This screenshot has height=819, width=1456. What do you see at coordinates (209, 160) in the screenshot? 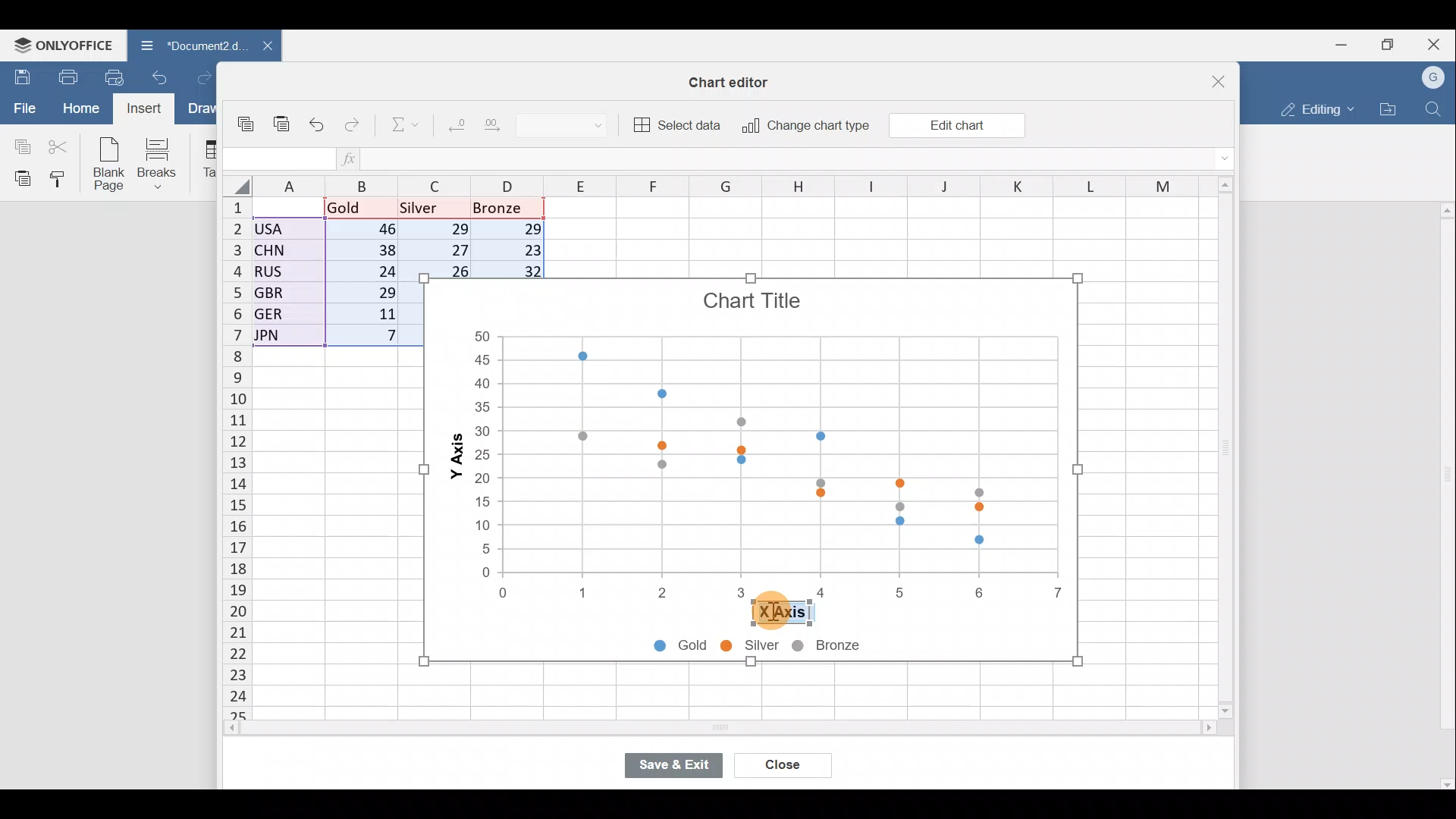
I see `Table` at bounding box center [209, 160].